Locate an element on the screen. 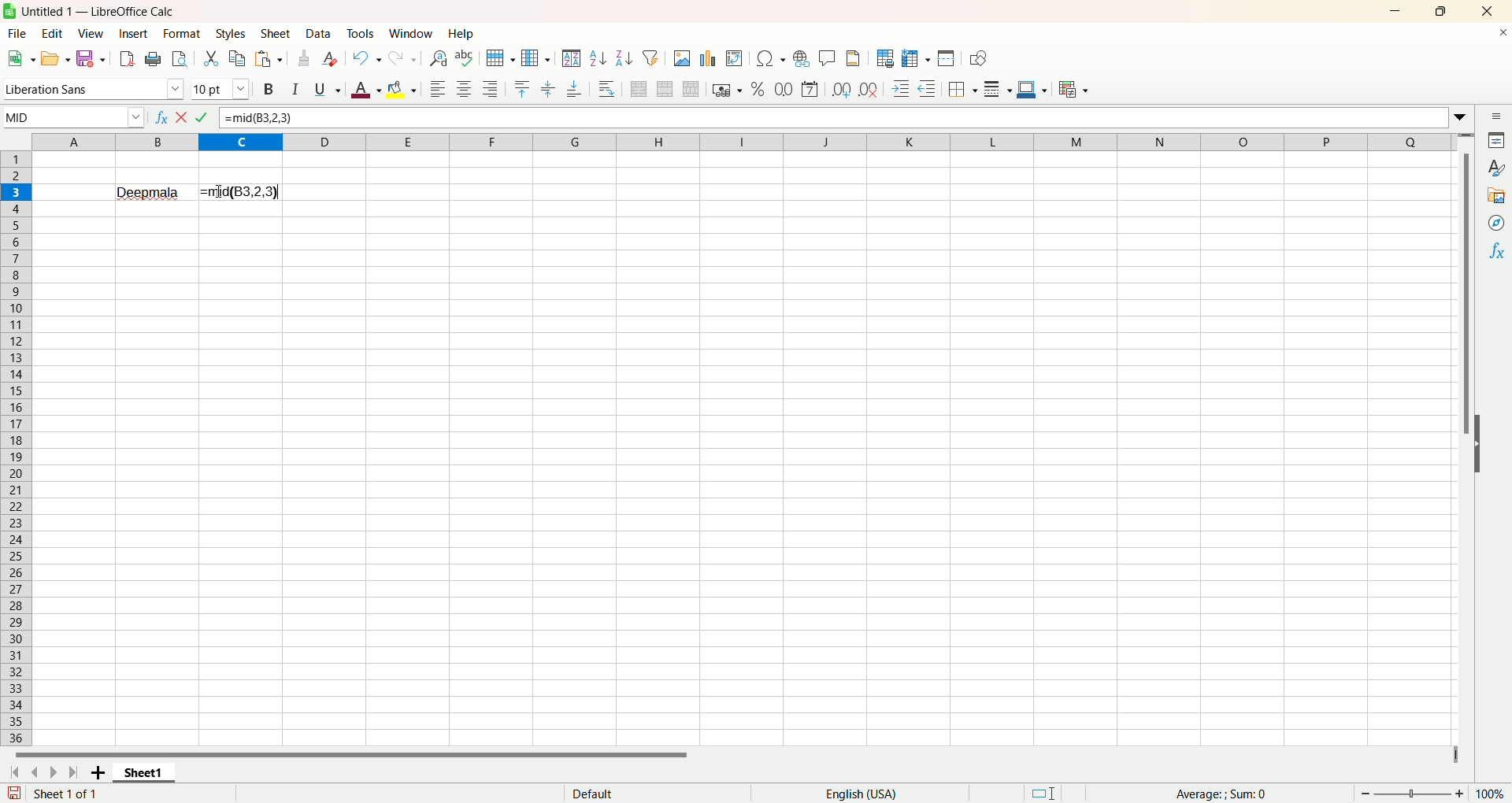 The height and width of the screenshot is (803, 1512). Undo is located at coordinates (369, 57).